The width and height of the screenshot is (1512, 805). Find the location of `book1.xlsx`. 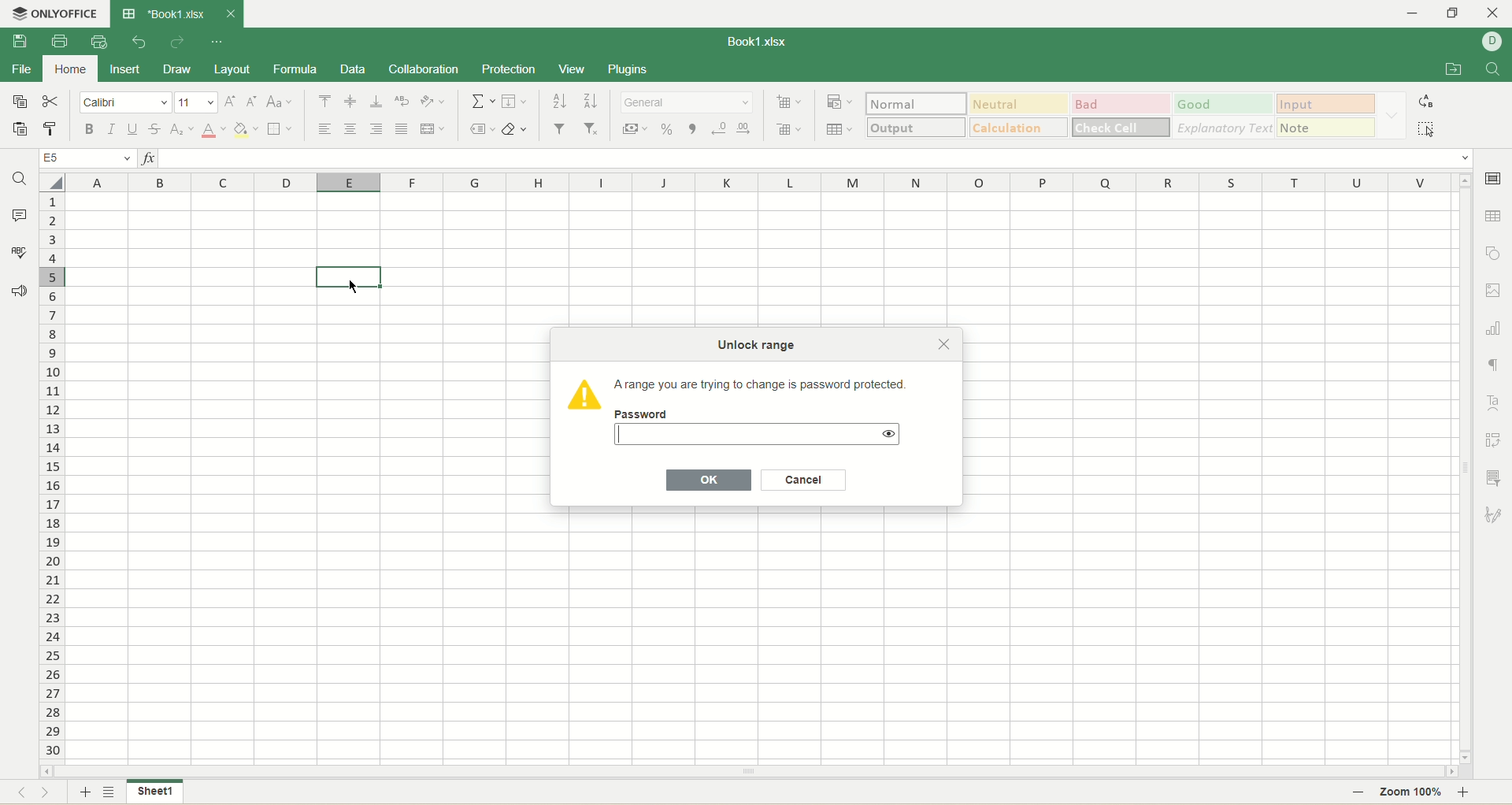

book1.xlsx is located at coordinates (165, 13).